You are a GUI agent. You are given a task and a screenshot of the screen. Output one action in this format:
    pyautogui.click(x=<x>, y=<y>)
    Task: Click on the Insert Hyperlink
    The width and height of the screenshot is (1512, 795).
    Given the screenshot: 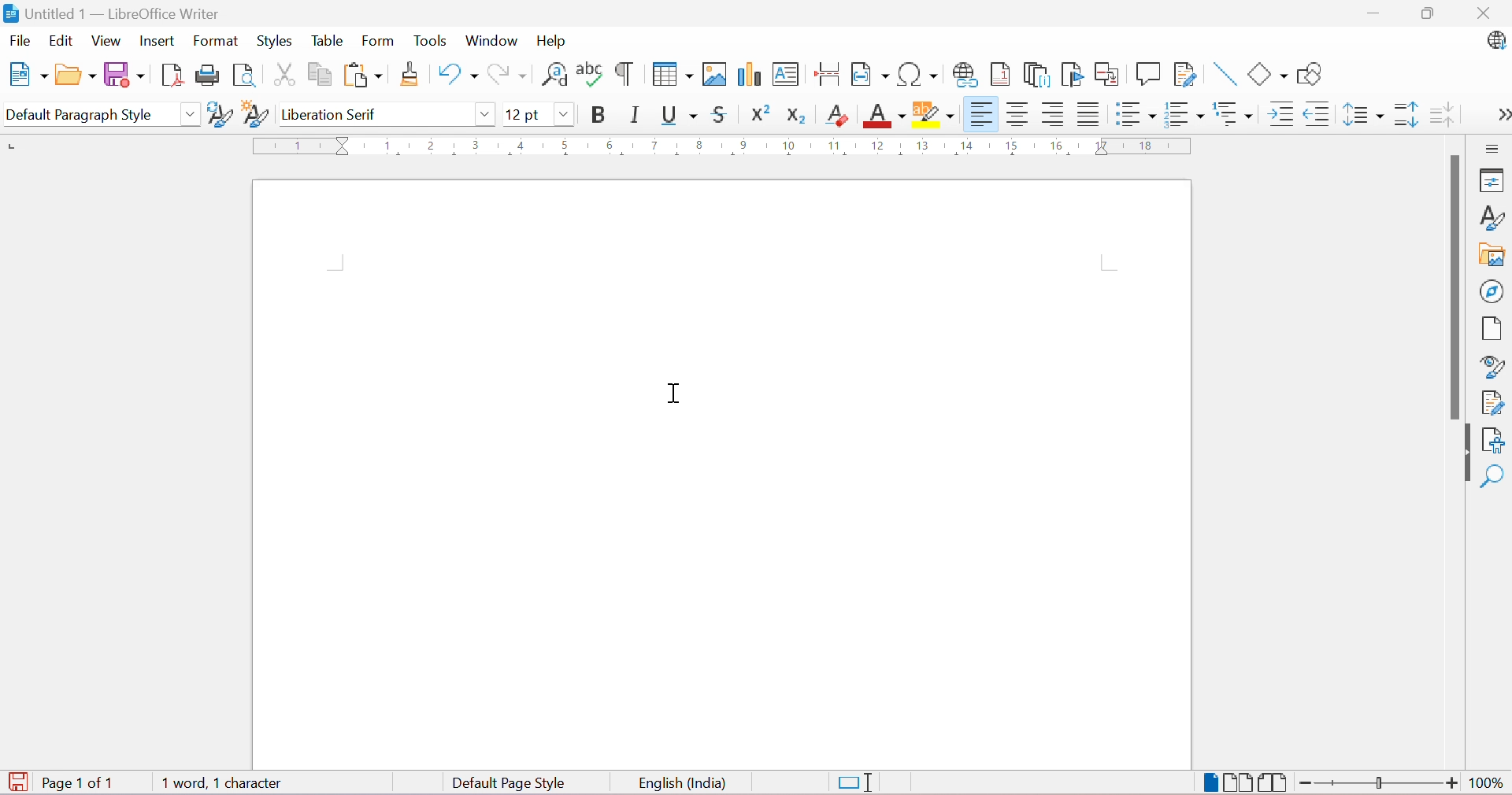 What is the action you would take?
    pyautogui.click(x=963, y=73)
    